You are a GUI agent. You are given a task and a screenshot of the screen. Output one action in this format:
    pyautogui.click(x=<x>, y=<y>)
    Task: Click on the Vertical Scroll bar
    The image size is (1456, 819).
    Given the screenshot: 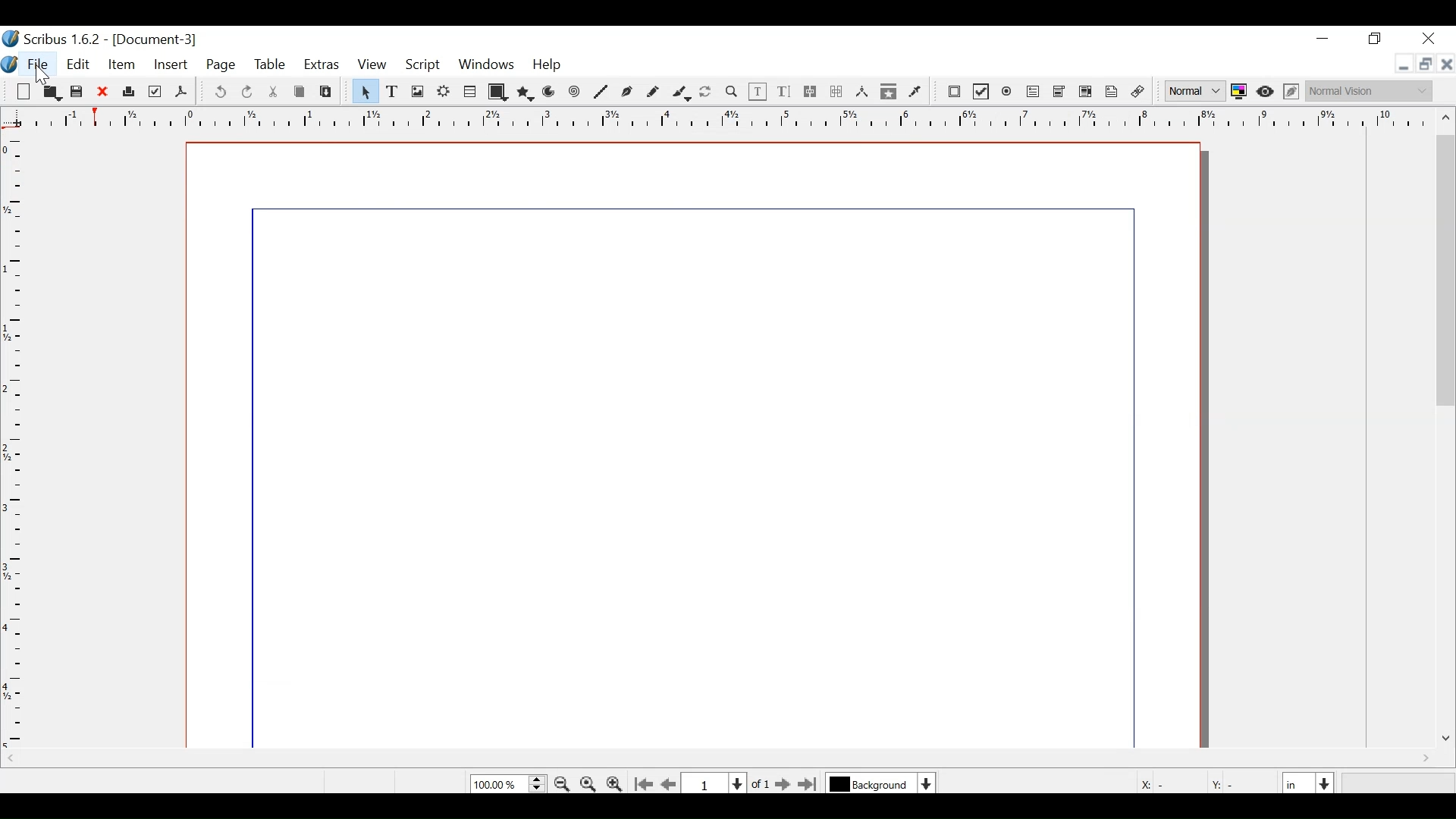 What is the action you would take?
    pyautogui.click(x=1447, y=269)
    